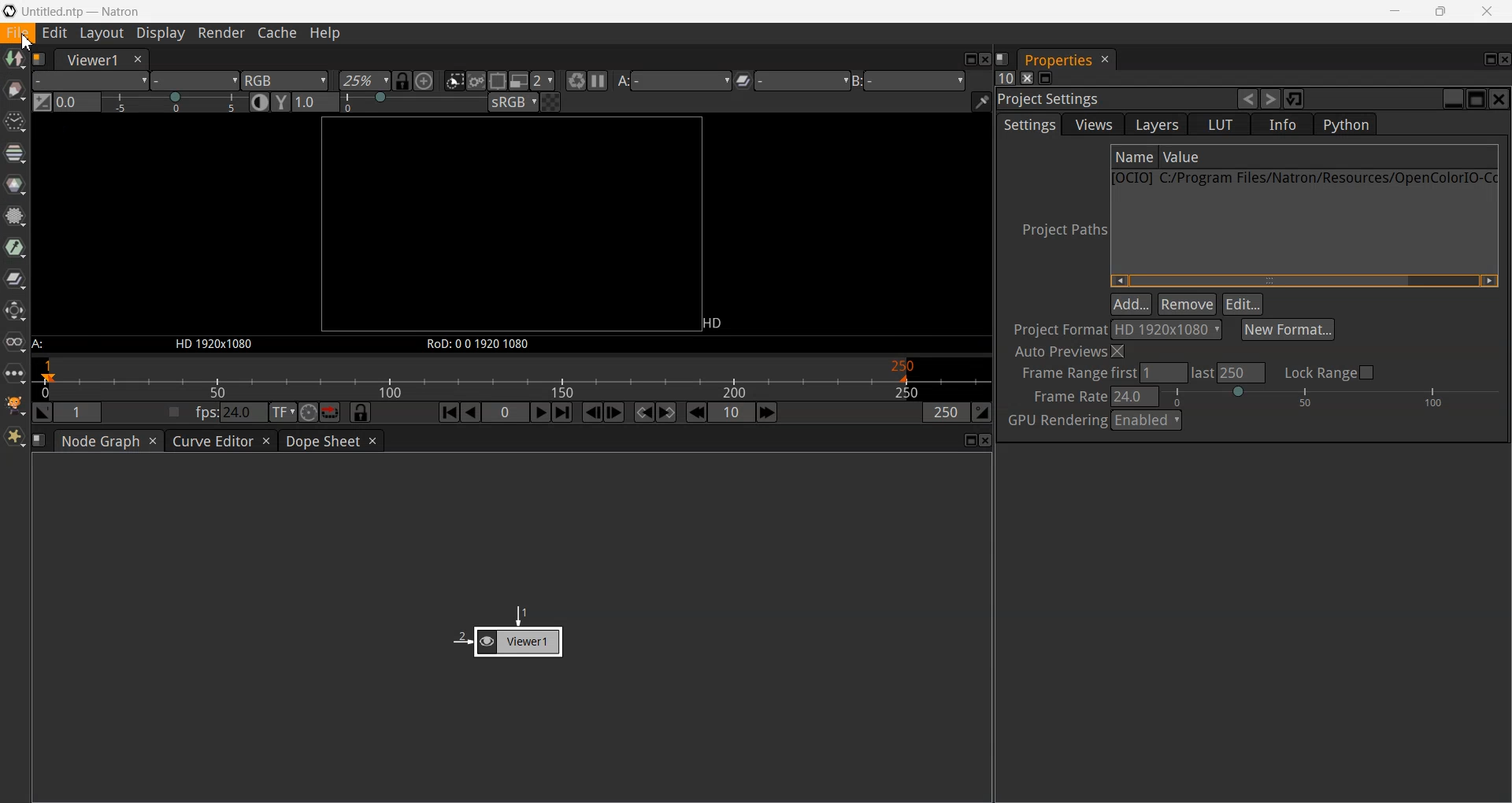 This screenshot has width=1512, height=803. Describe the element at coordinates (768, 413) in the screenshot. I see `Next Increment` at that location.